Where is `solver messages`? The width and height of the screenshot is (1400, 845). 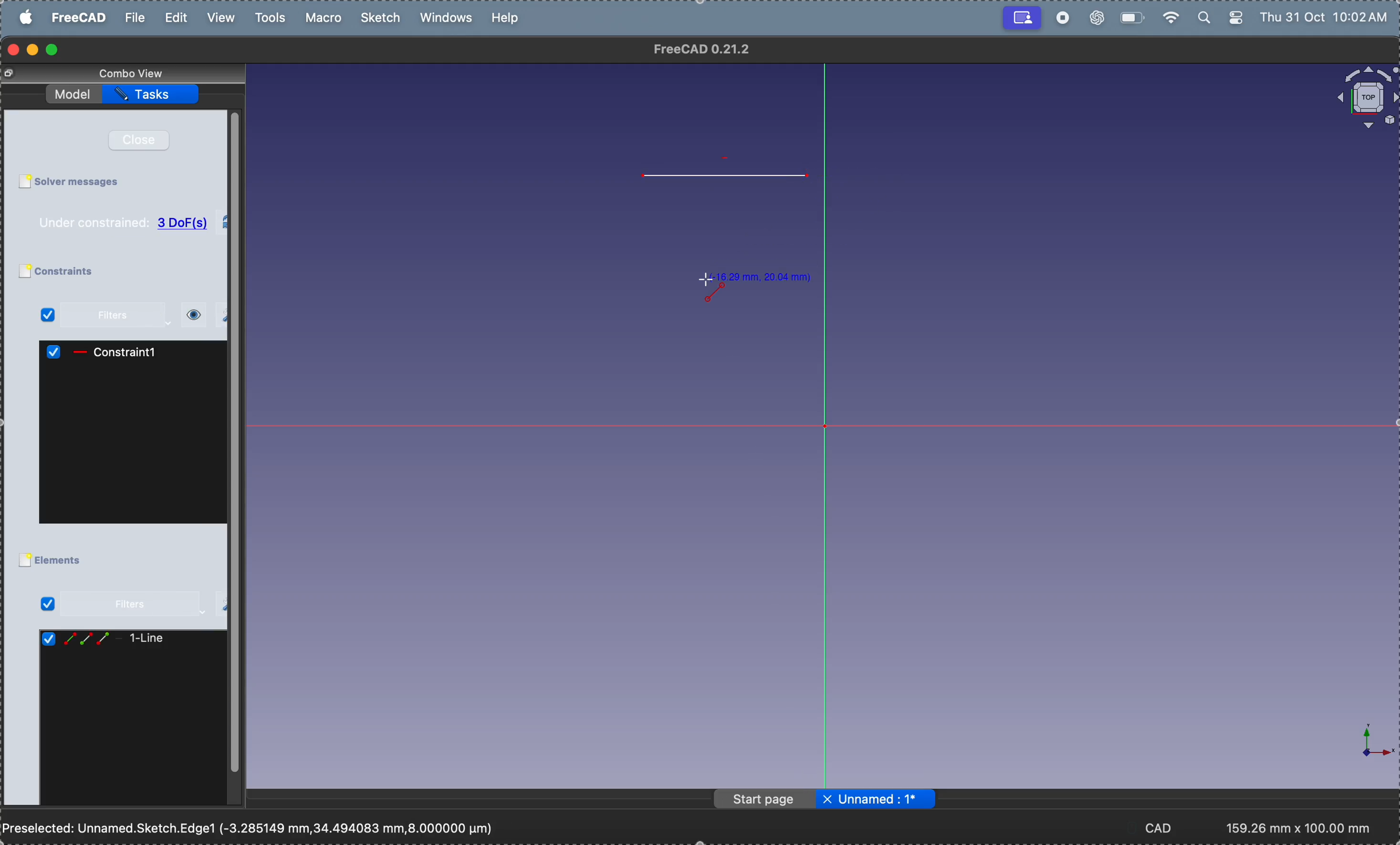 solver messages is located at coordinates (82, 182).